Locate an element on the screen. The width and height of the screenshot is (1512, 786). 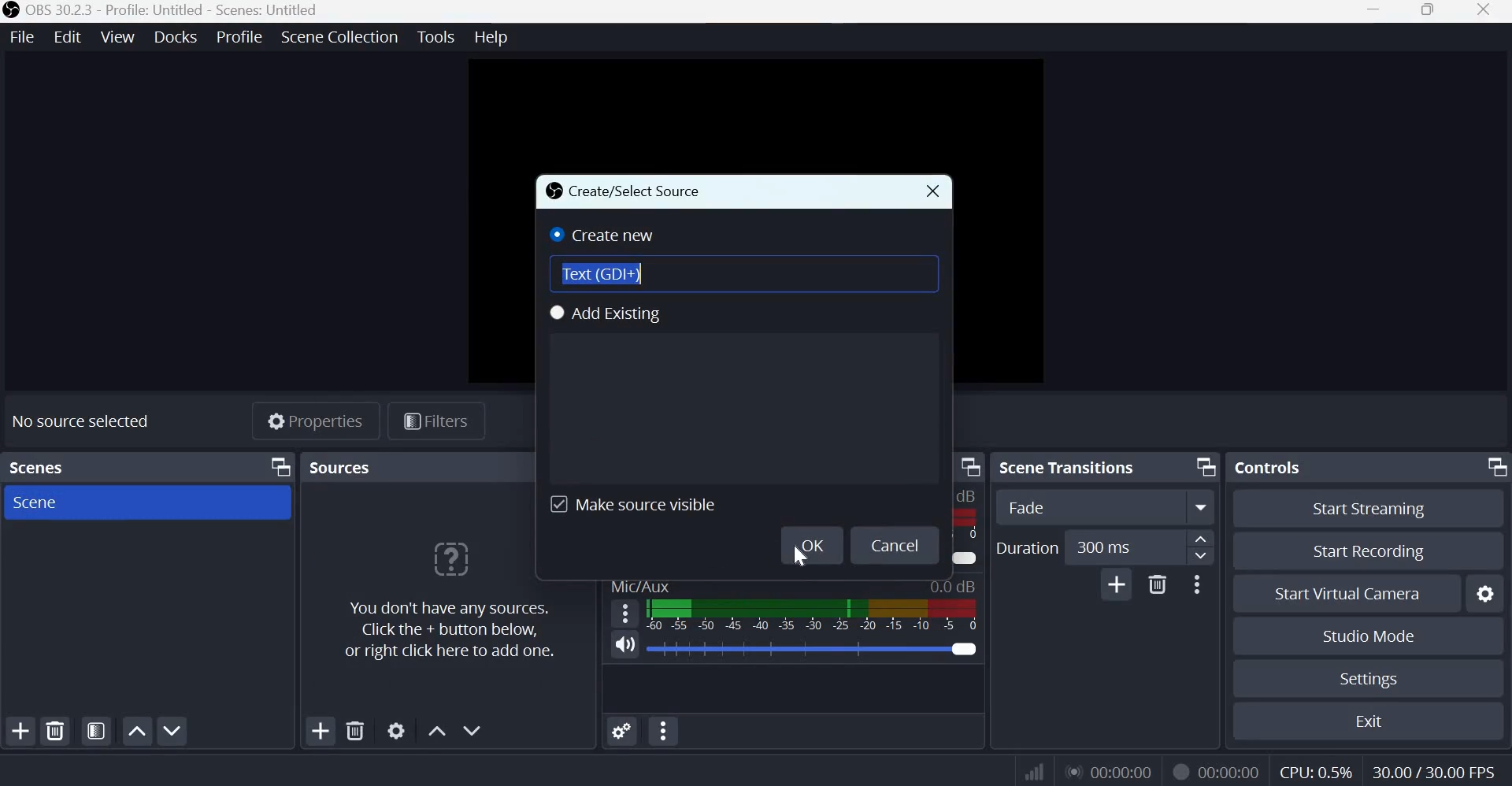
Cancel is located at coordinates (893, 546).